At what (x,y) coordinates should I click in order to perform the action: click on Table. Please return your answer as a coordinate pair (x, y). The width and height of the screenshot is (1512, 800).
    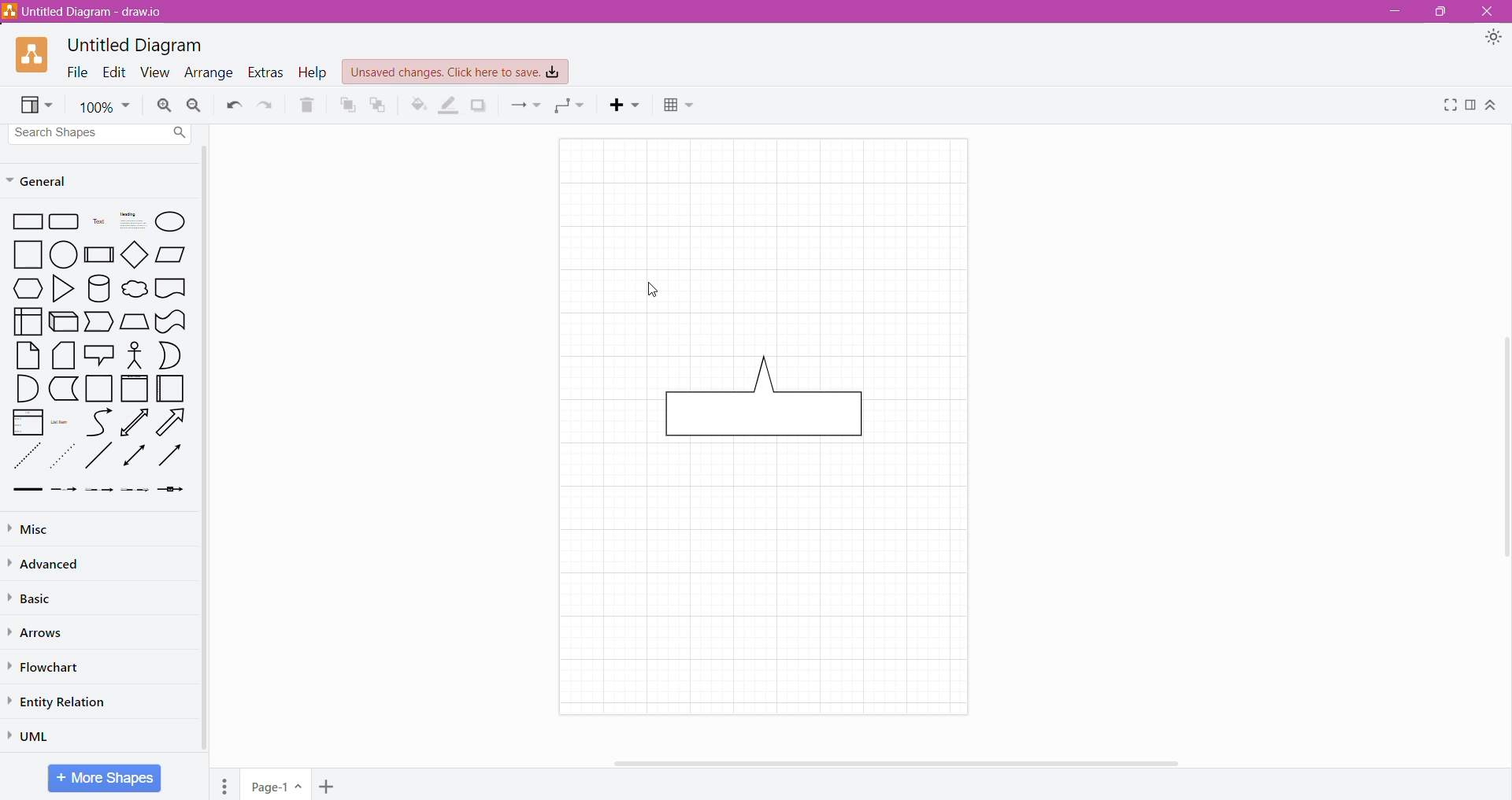
    Looking at the image, I should click on (681, 107).